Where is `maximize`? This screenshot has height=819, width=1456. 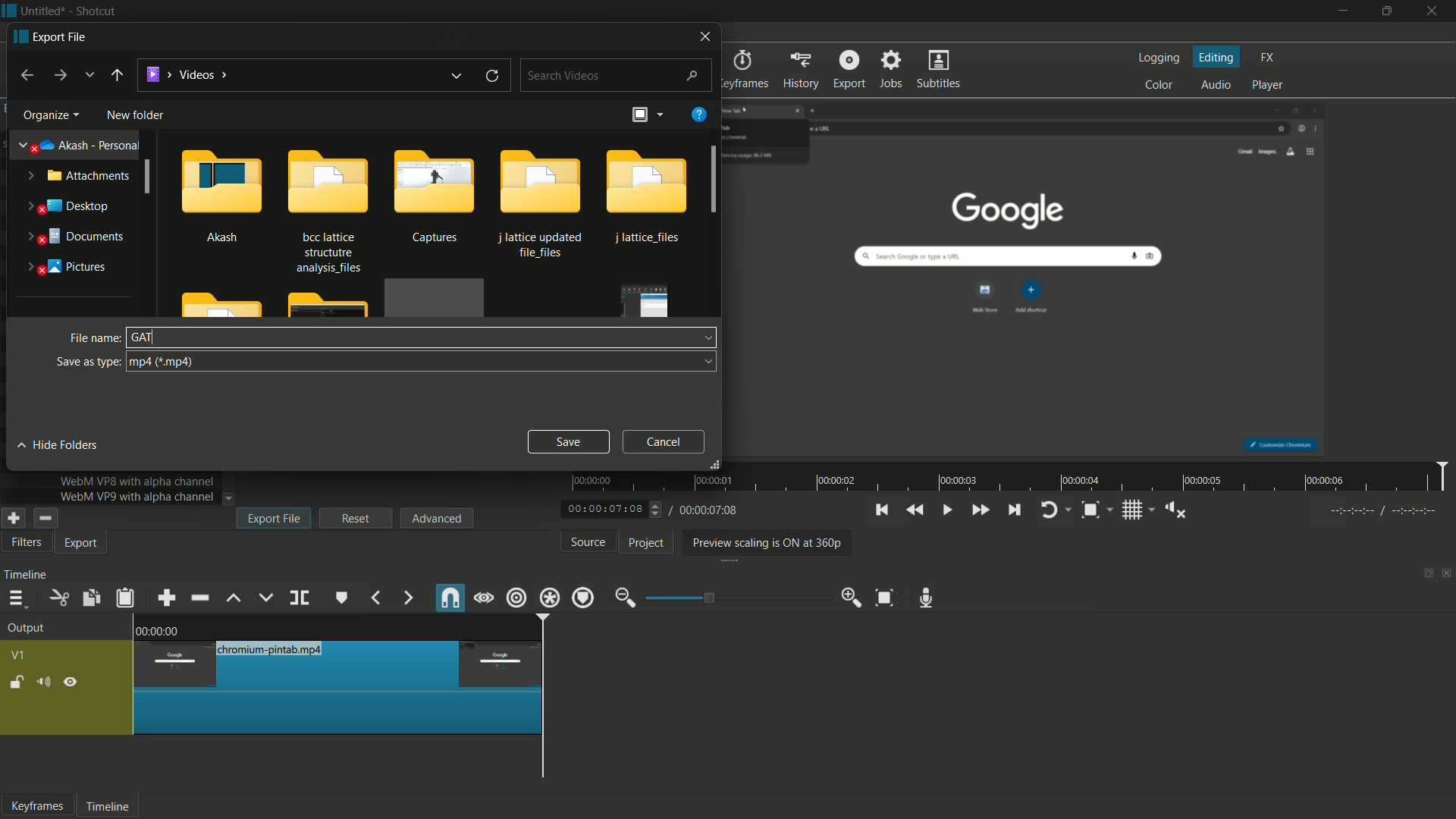 maximize is located at coordinates (1387, 11).